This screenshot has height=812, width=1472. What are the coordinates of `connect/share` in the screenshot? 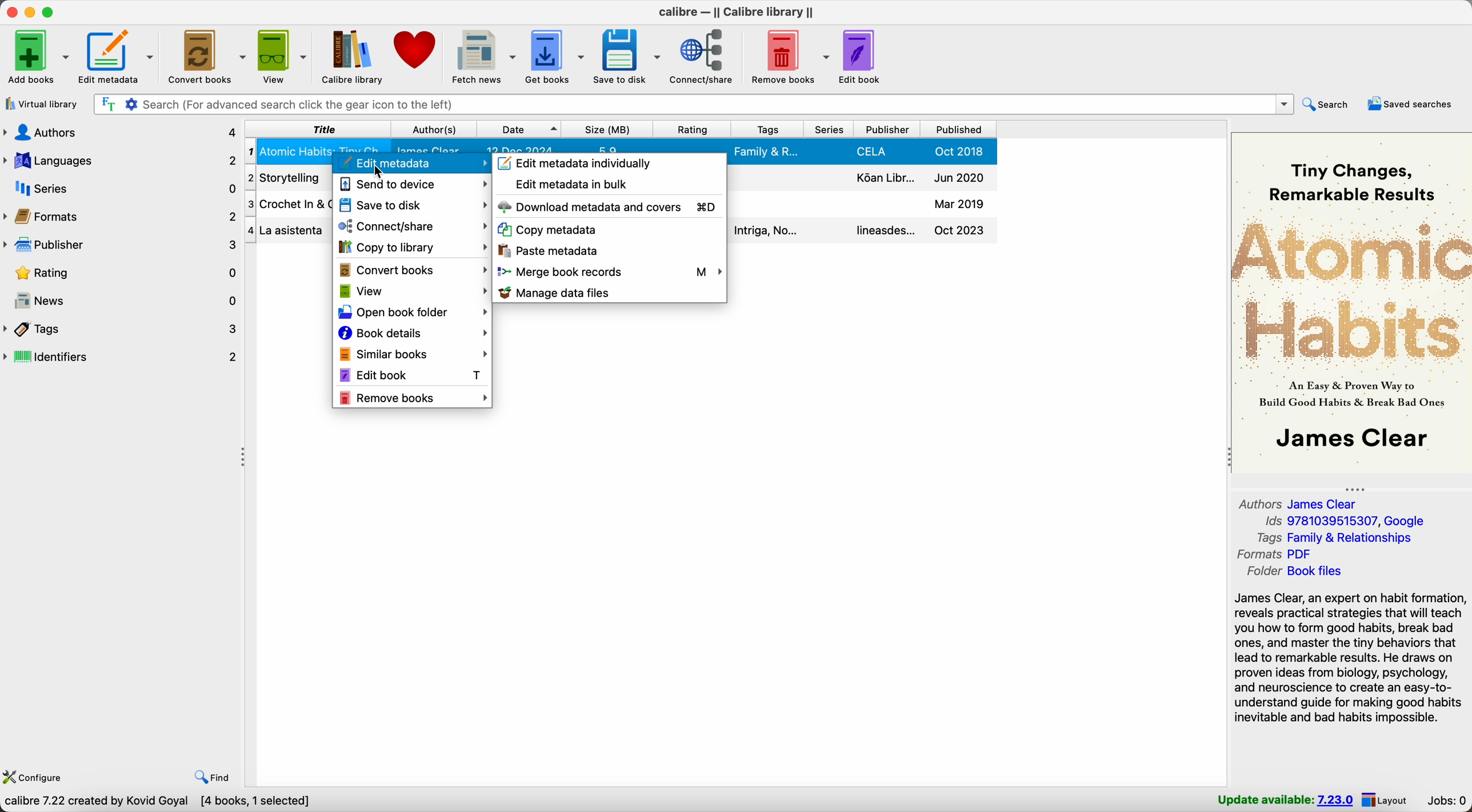 It's located at (703, 58).